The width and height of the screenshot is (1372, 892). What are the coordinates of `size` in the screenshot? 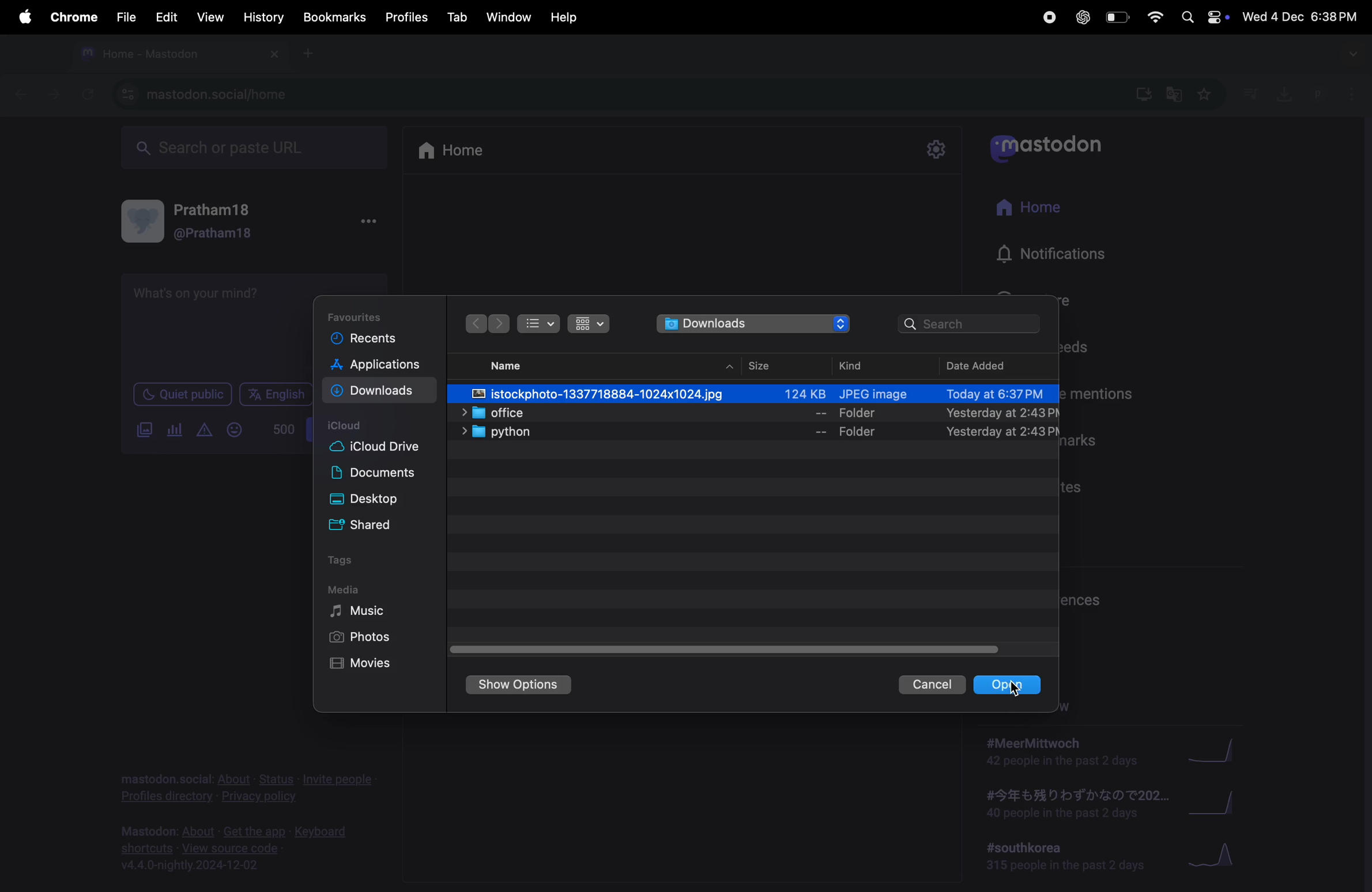 It's located at (759, 362).